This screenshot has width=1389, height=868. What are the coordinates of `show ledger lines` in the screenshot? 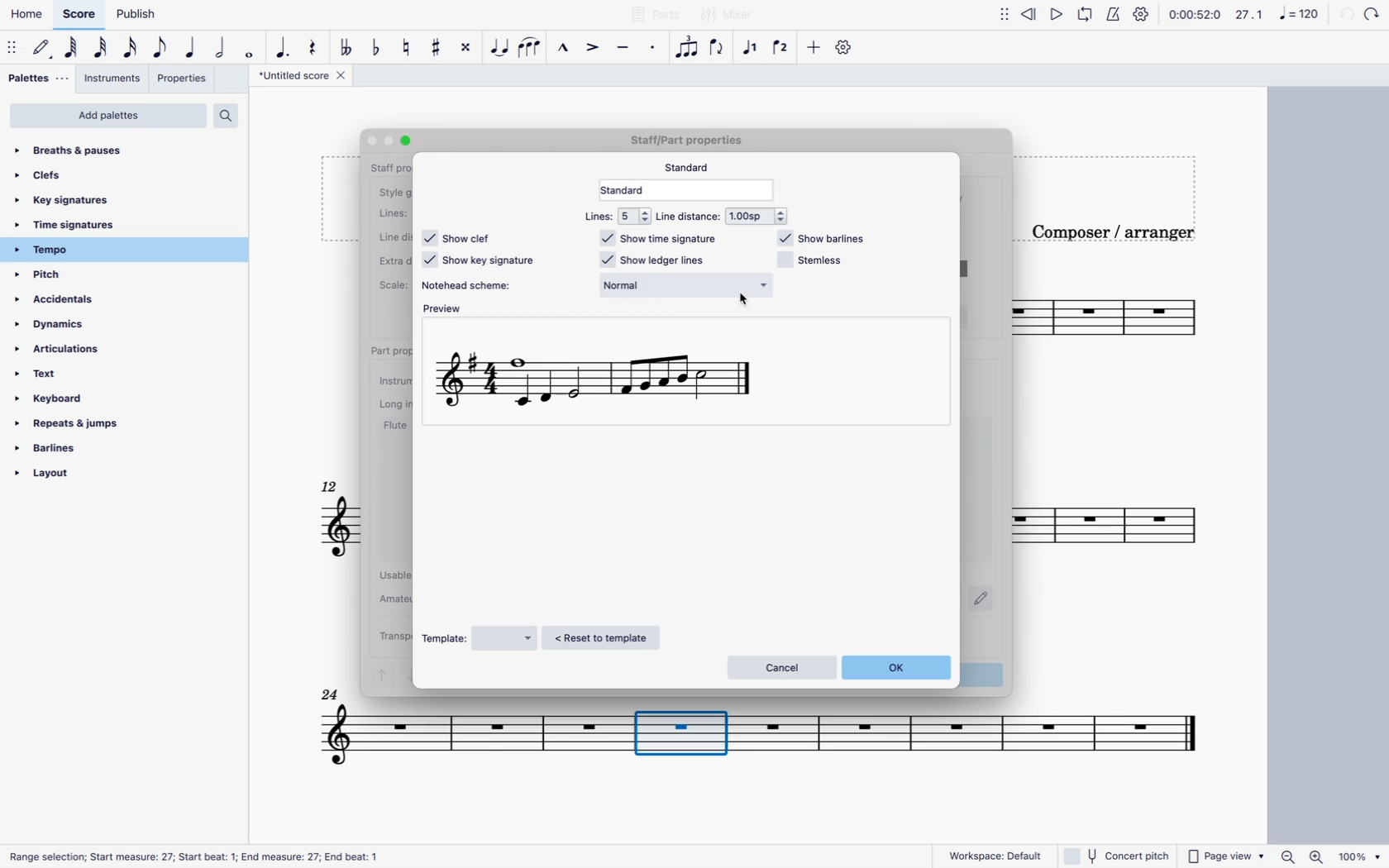 It's located at (653, 260).